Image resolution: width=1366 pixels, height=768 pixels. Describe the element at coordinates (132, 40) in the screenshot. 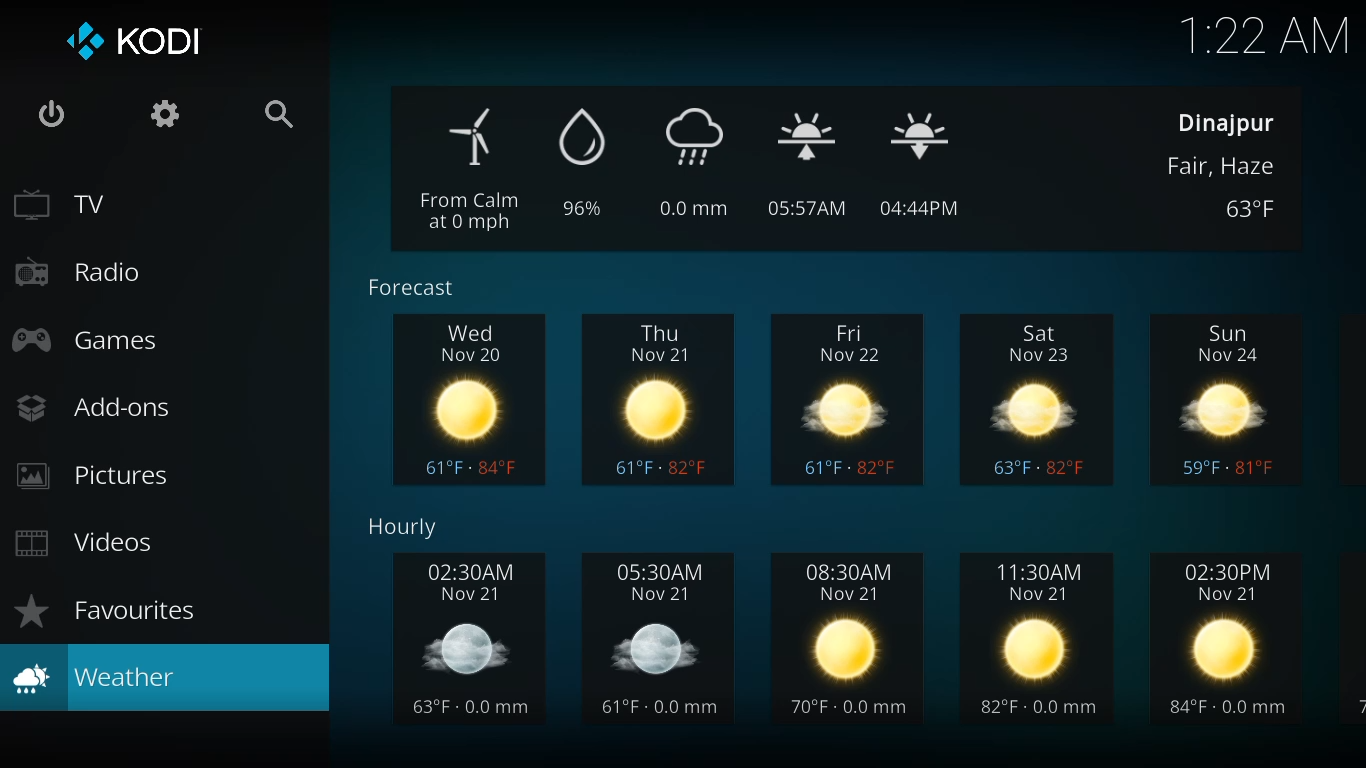

I see `kodi` at that location.